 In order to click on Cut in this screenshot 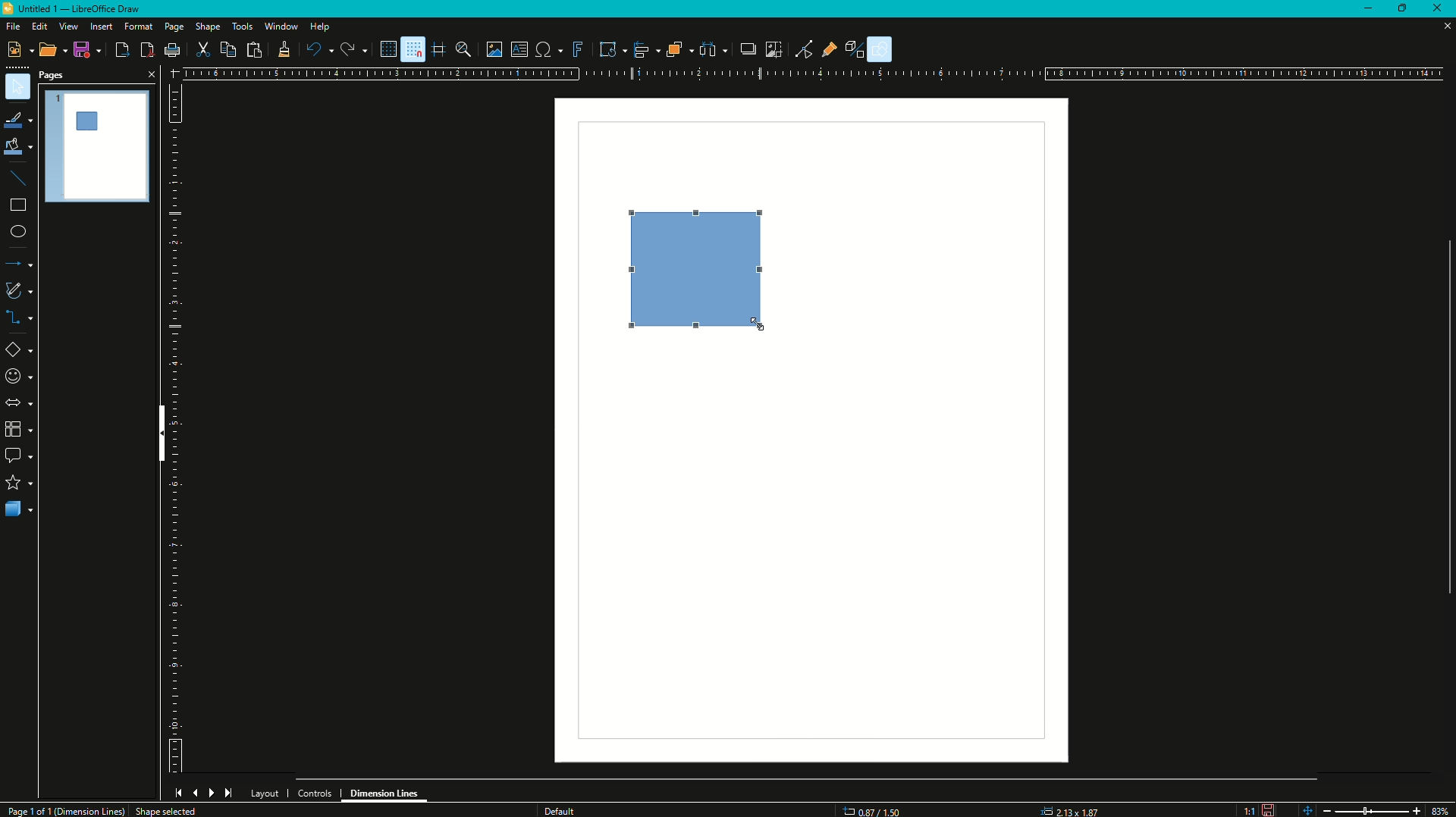, I will do `click(203, 49)`.